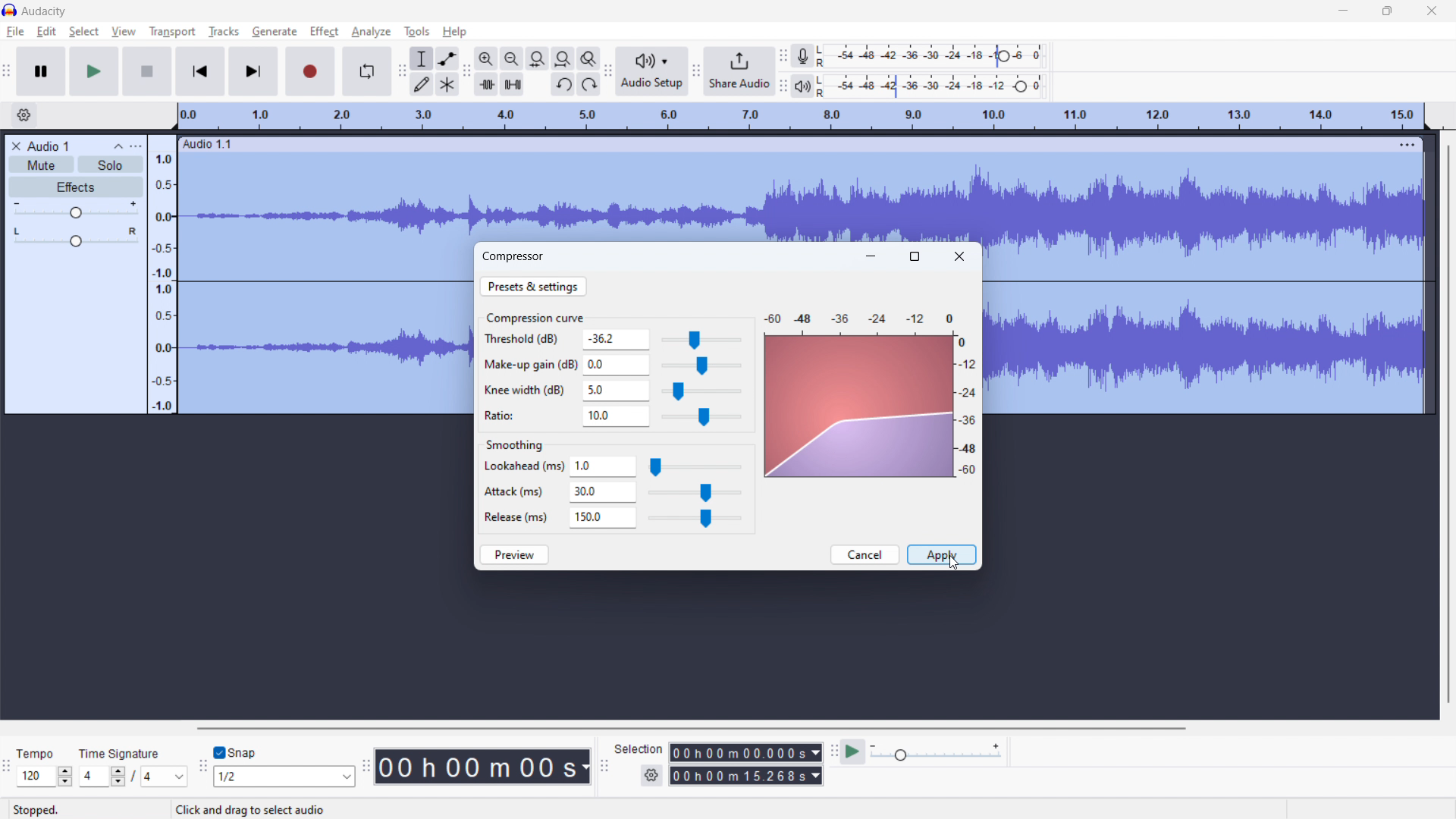  I want to click on thresh hold slider (sliding down) , so click(700, 340).